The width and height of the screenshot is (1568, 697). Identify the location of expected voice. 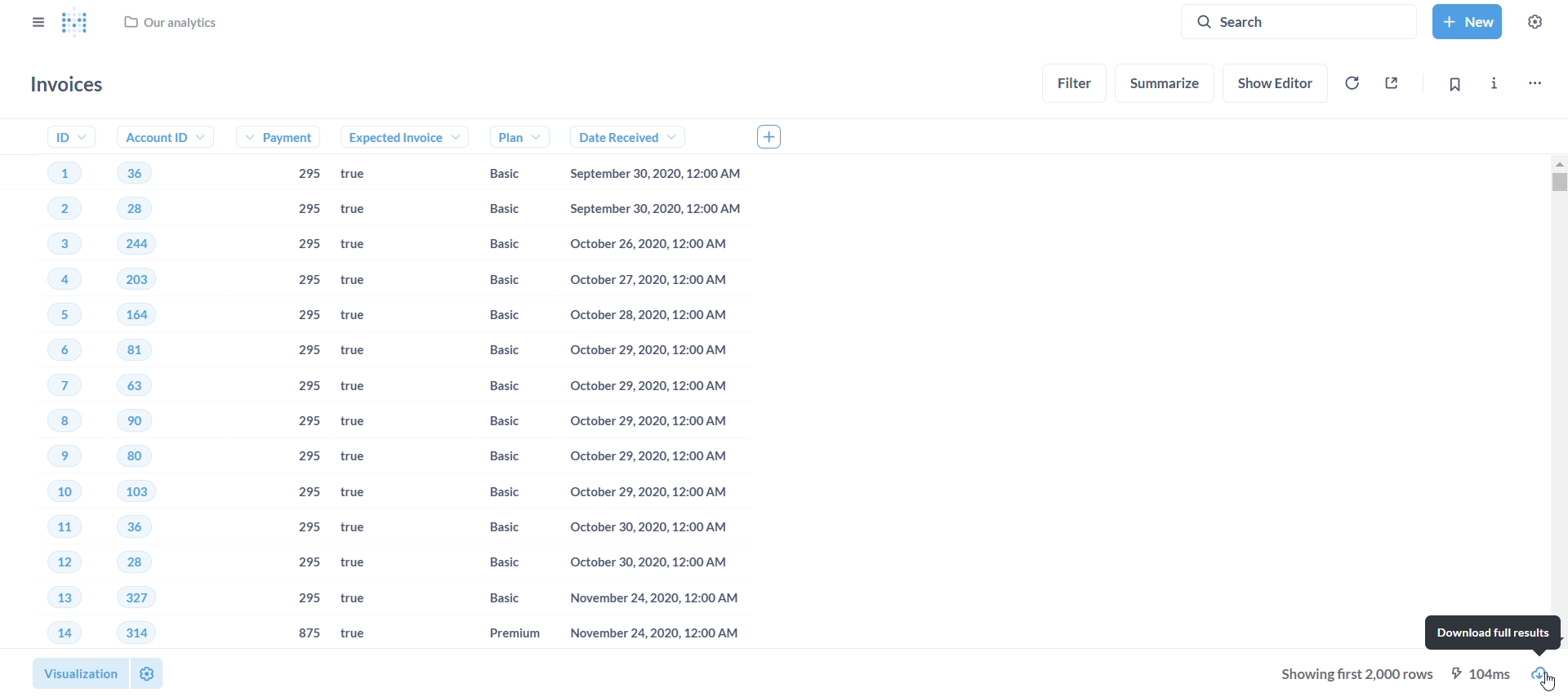
(388, 137).